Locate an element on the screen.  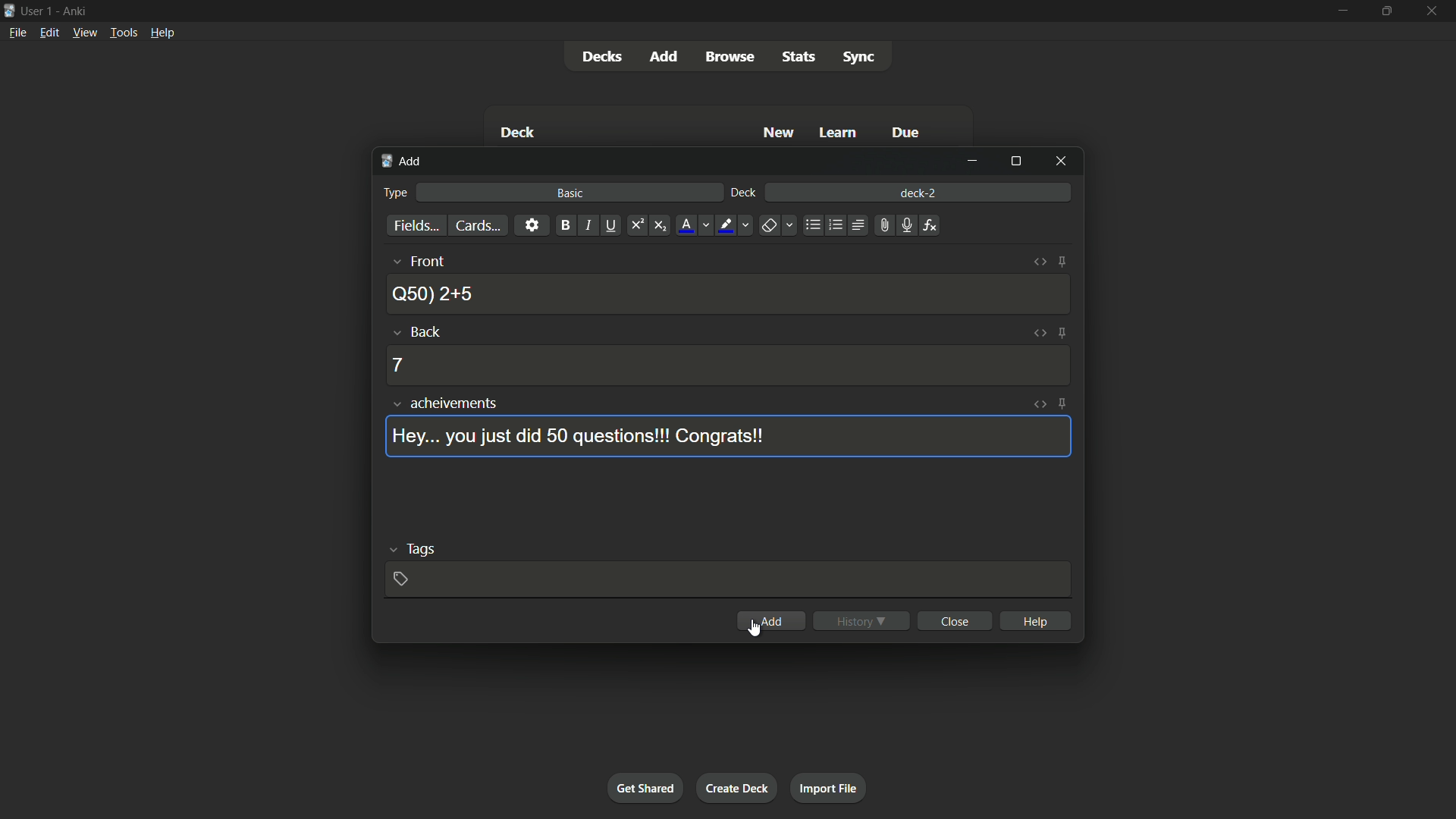
toggle html editor is located at coordinates (1039, 405).